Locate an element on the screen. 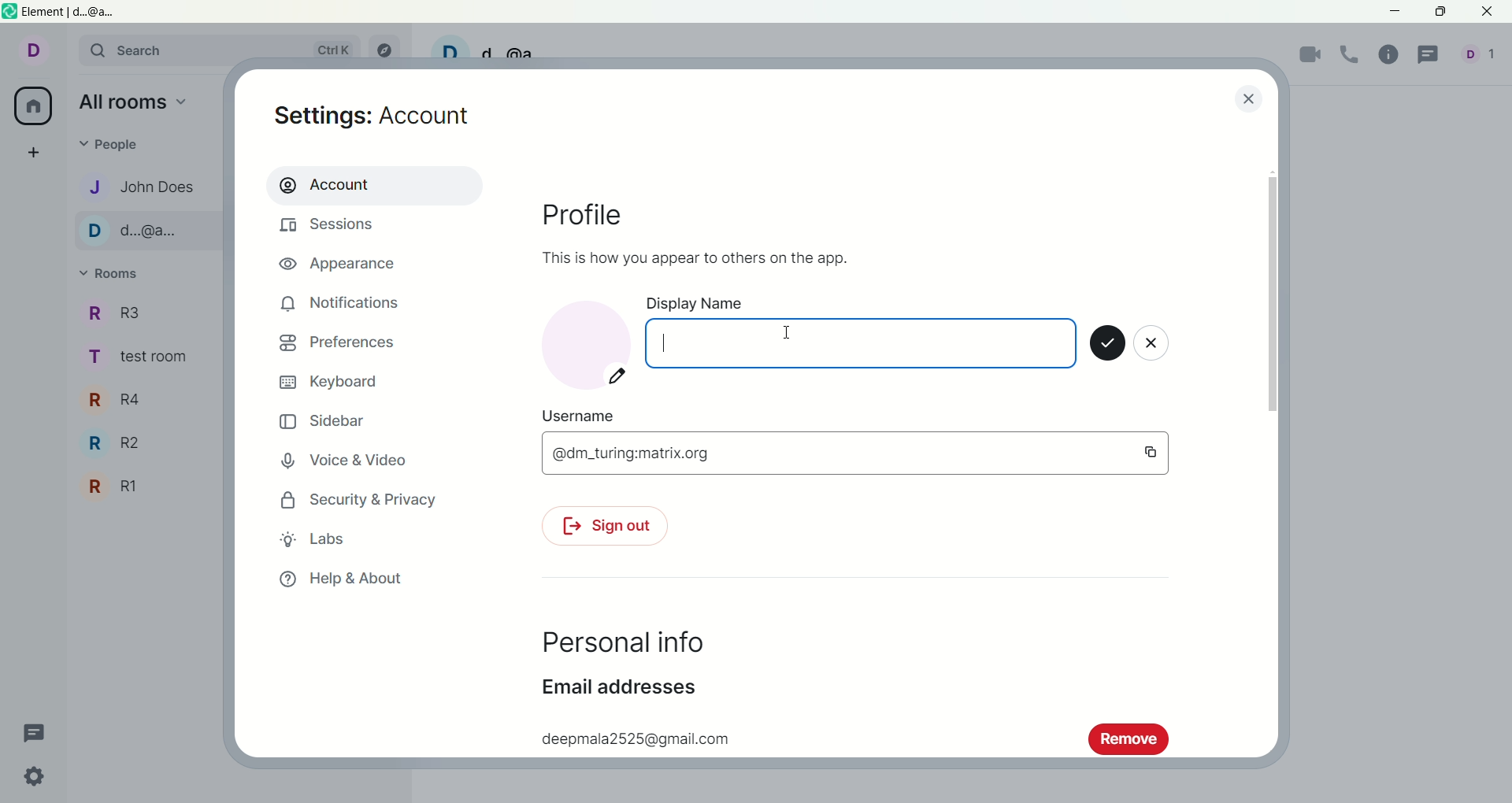 The height and width of the screenshot is (803, 1512). profile is located at coordinates (597, 219).